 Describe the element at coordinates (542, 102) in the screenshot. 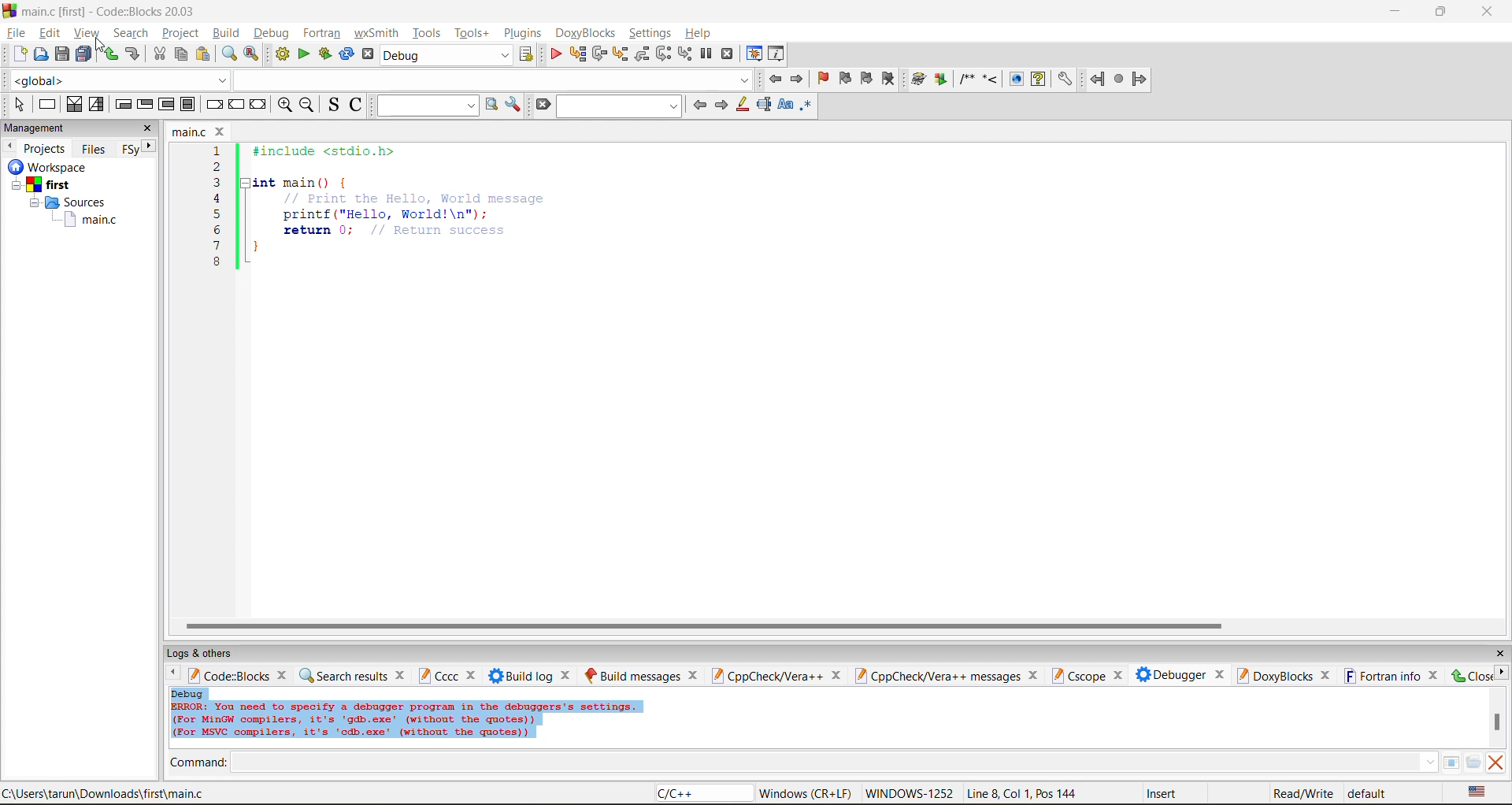

I see `clear` at that location.